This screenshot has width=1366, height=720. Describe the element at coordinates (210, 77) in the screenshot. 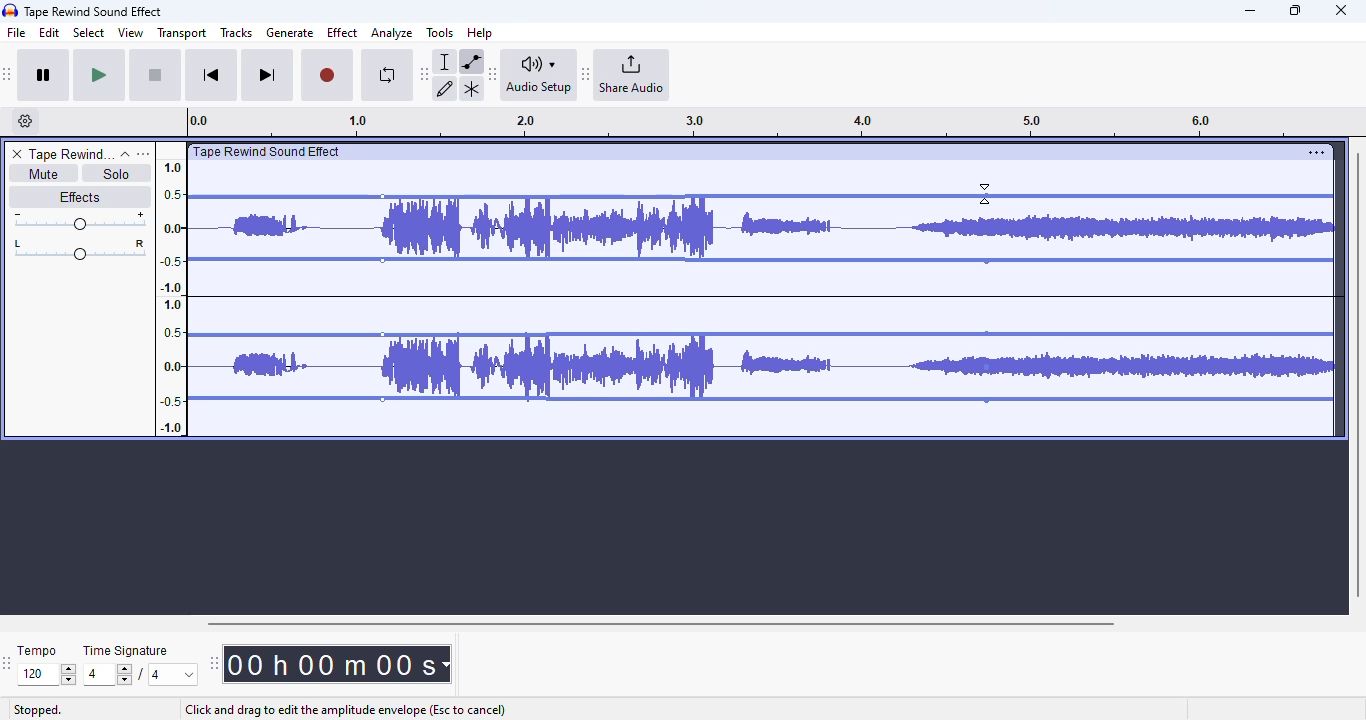

I see `skip to start` at that location.